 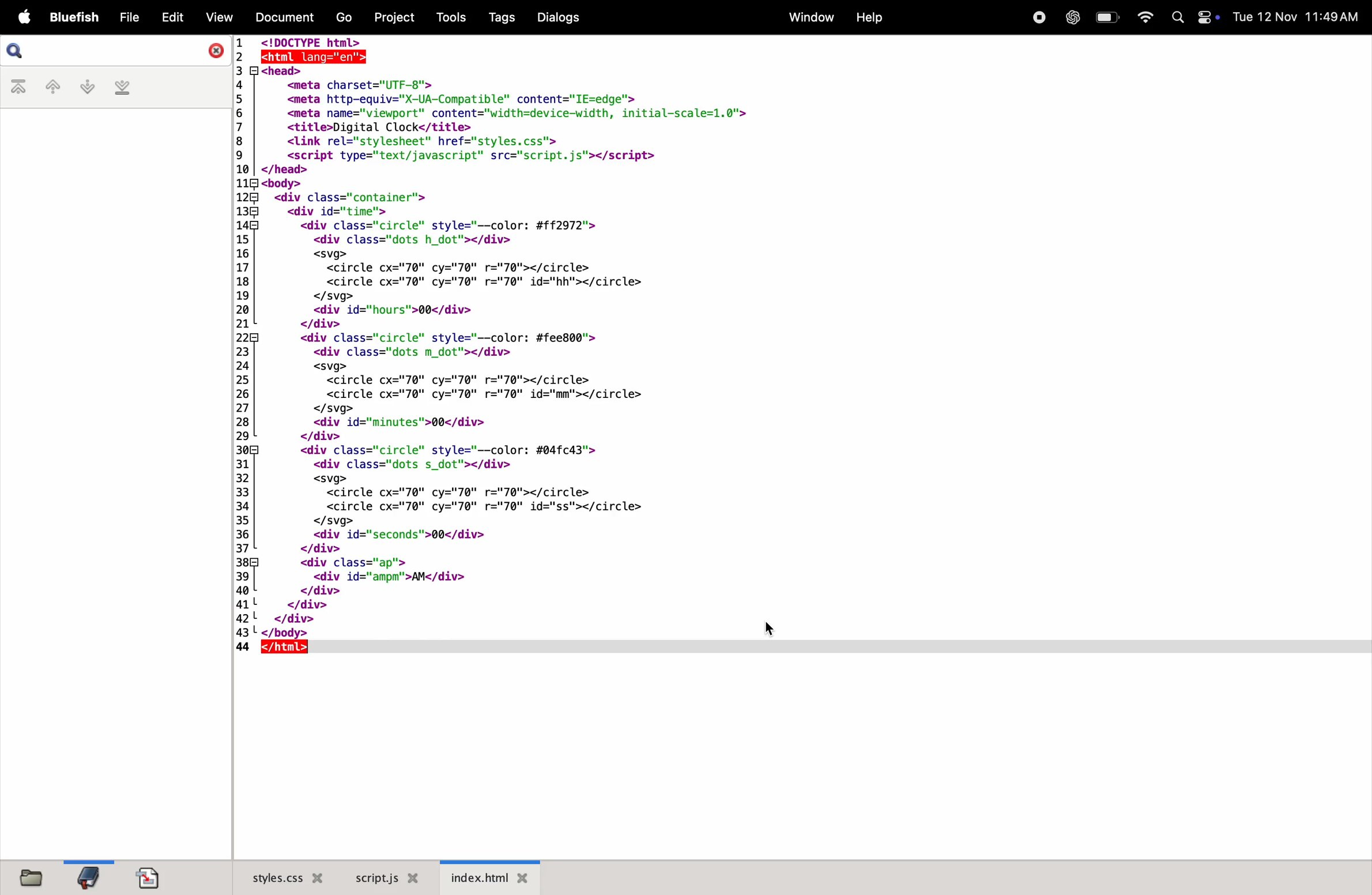 What do you see at coordinates (281, 17) in the screenshot?
I see `documents` at bounding box center [281, 17].